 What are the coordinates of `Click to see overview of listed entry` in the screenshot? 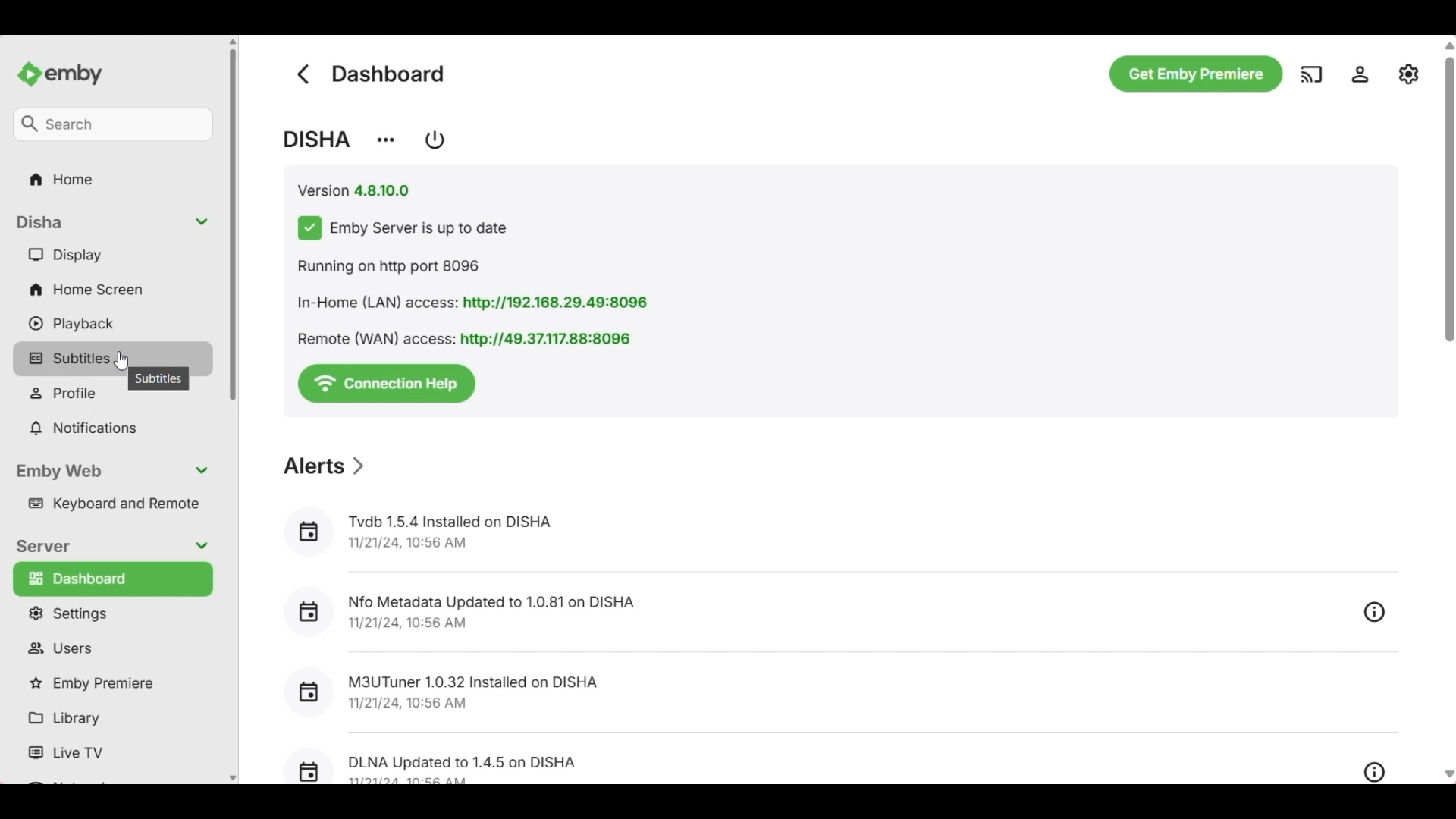 It's located at (1373, 613).